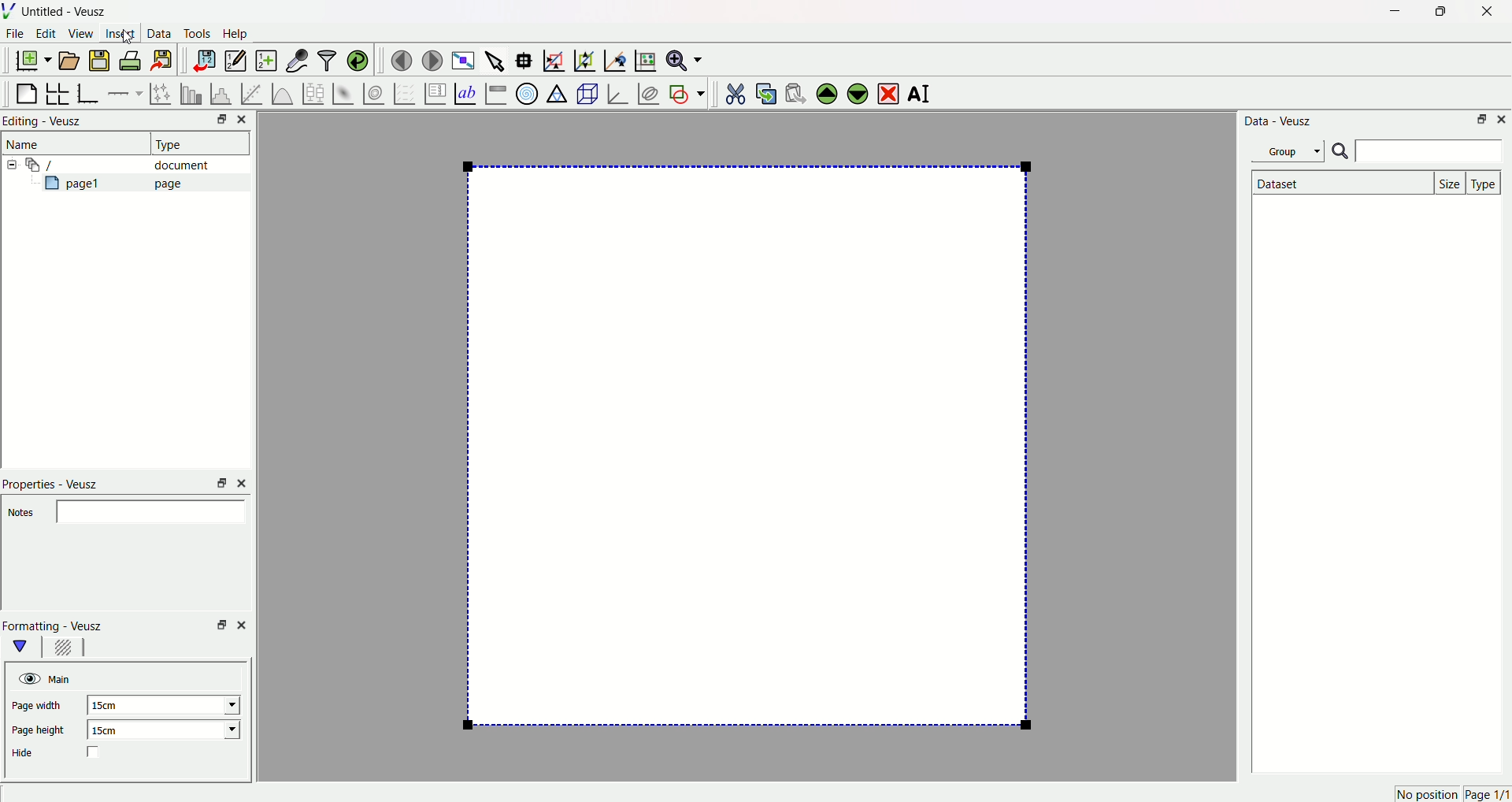  Describe the element at coordinates (686, 93) in the screenshot. I see `add a shape ` at that location.